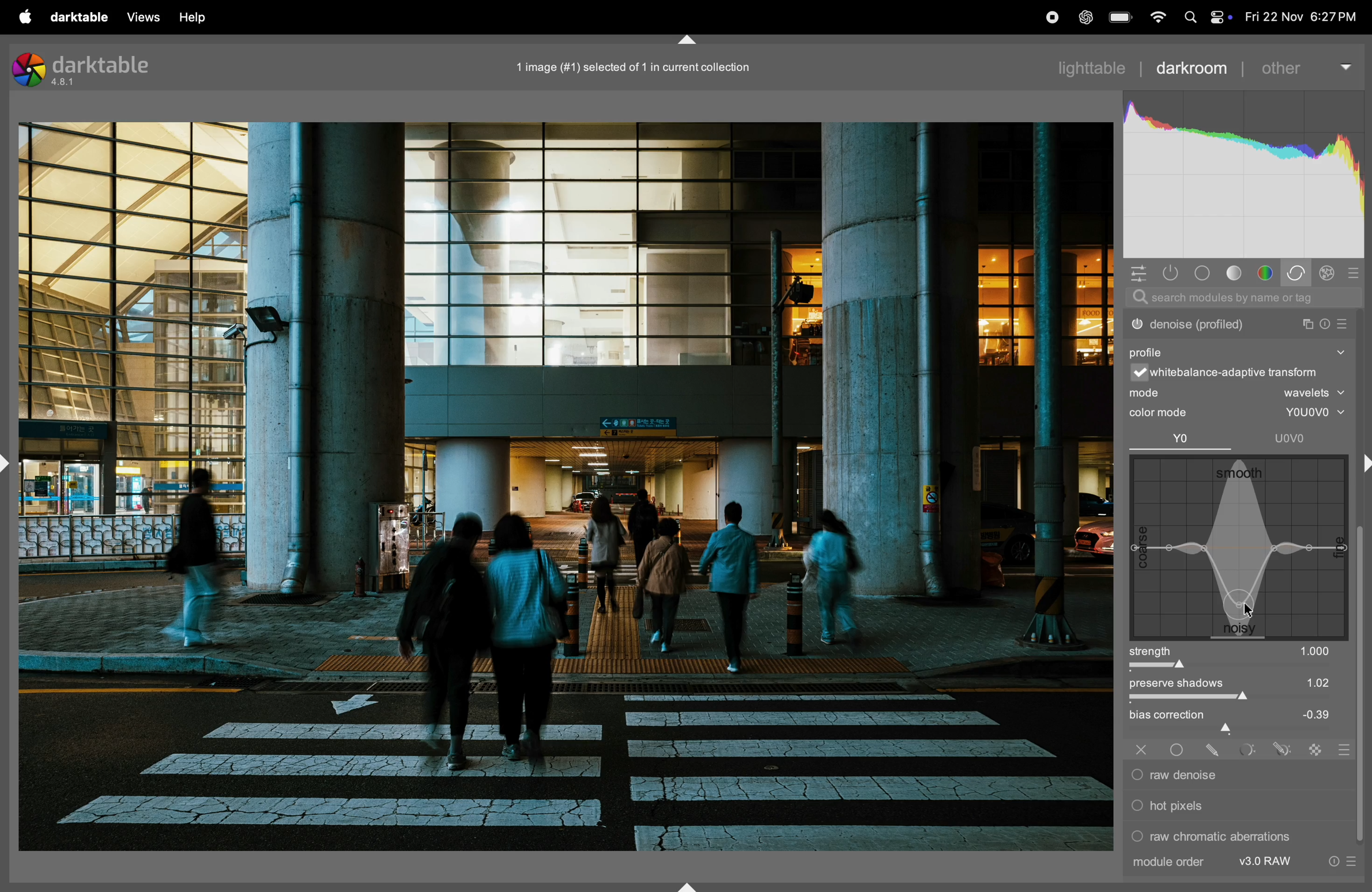 This screenshot has width=1372, height=892. Describe the element at coordinates (1220, 806) in the screenshot. I see `hot pixels` at that location.